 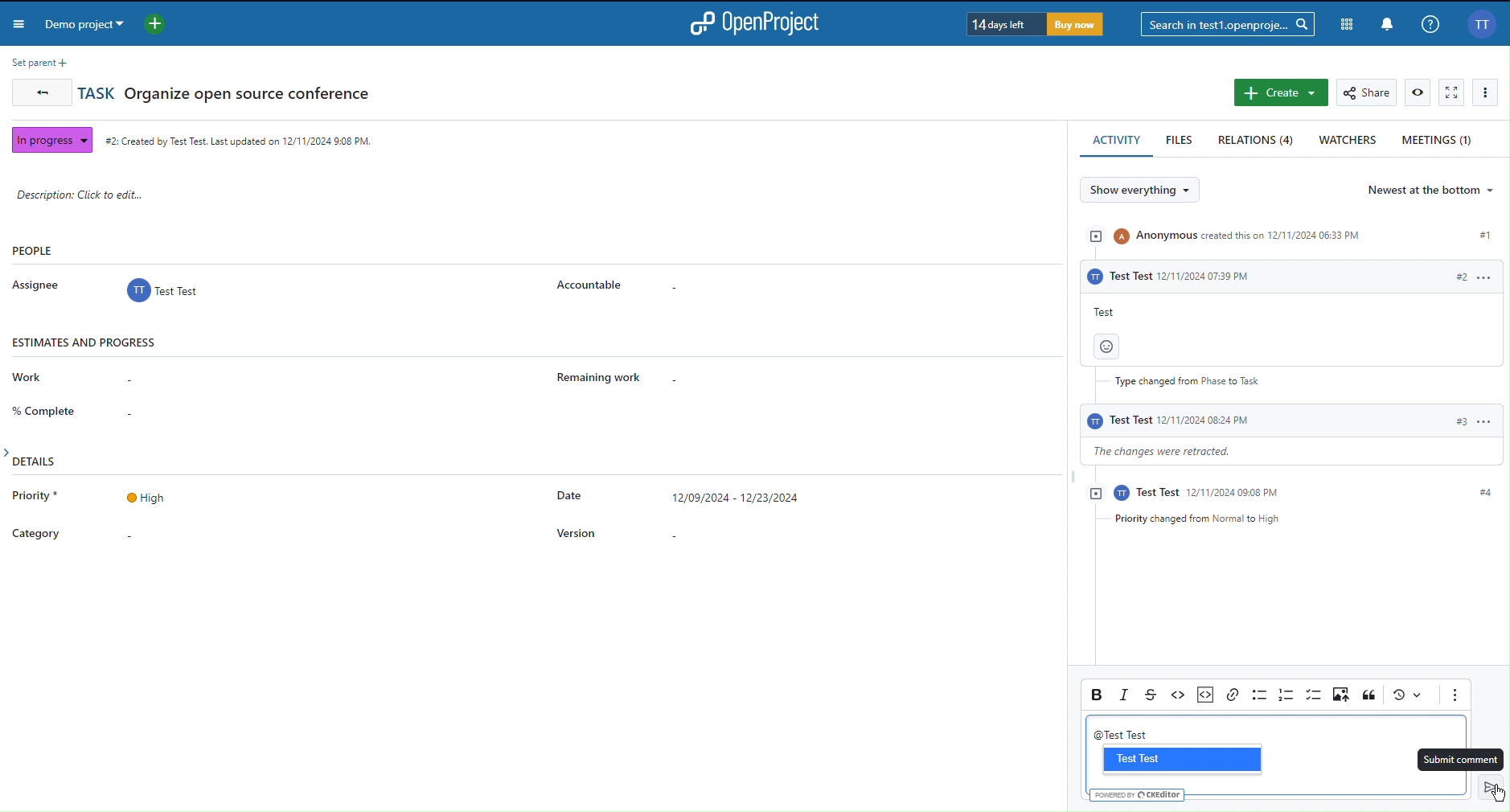 I want to click on People, so click(x=333, y=273).